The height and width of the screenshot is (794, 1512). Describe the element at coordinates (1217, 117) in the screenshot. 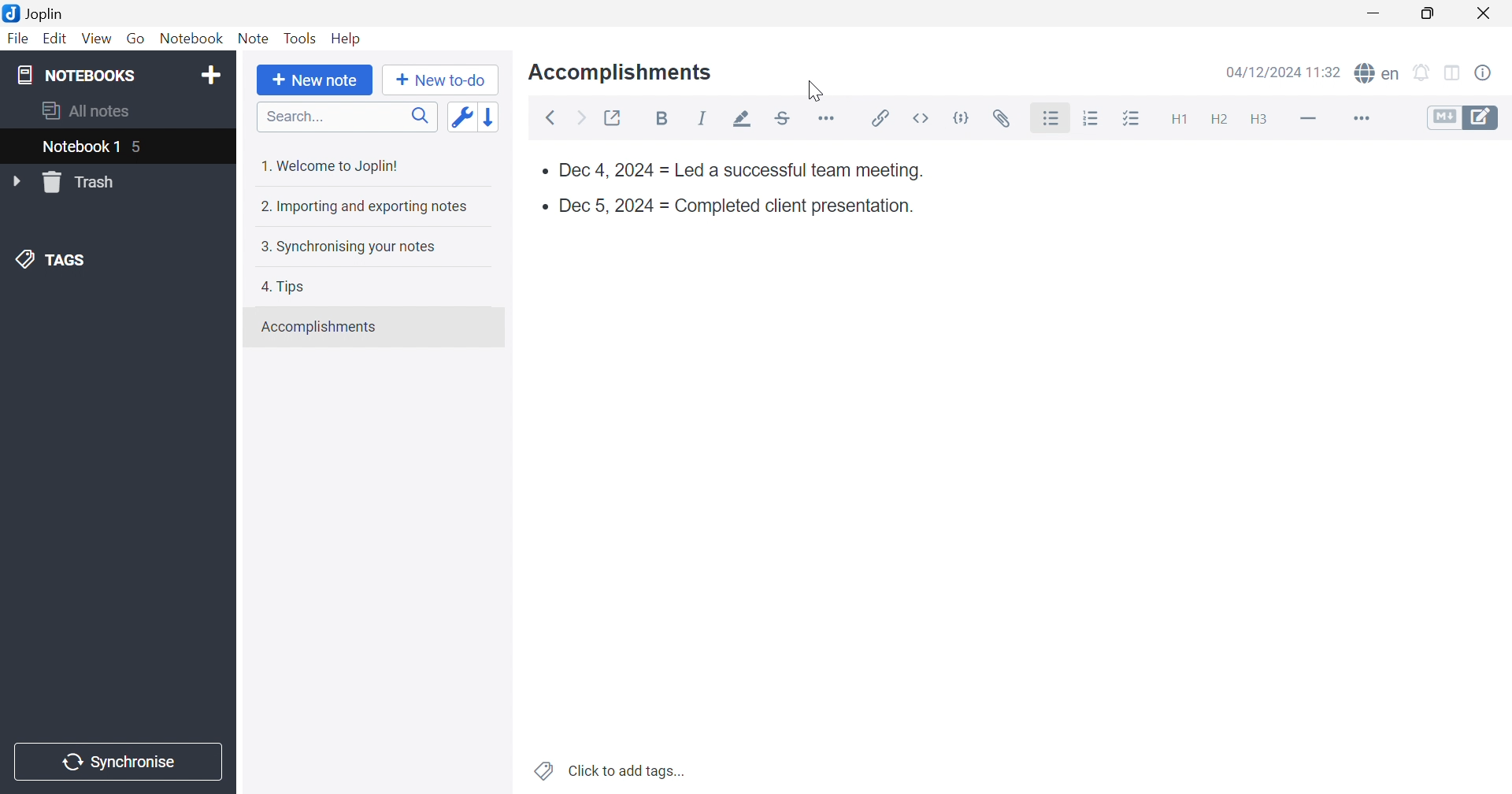

I see `Heading 2` at that location.